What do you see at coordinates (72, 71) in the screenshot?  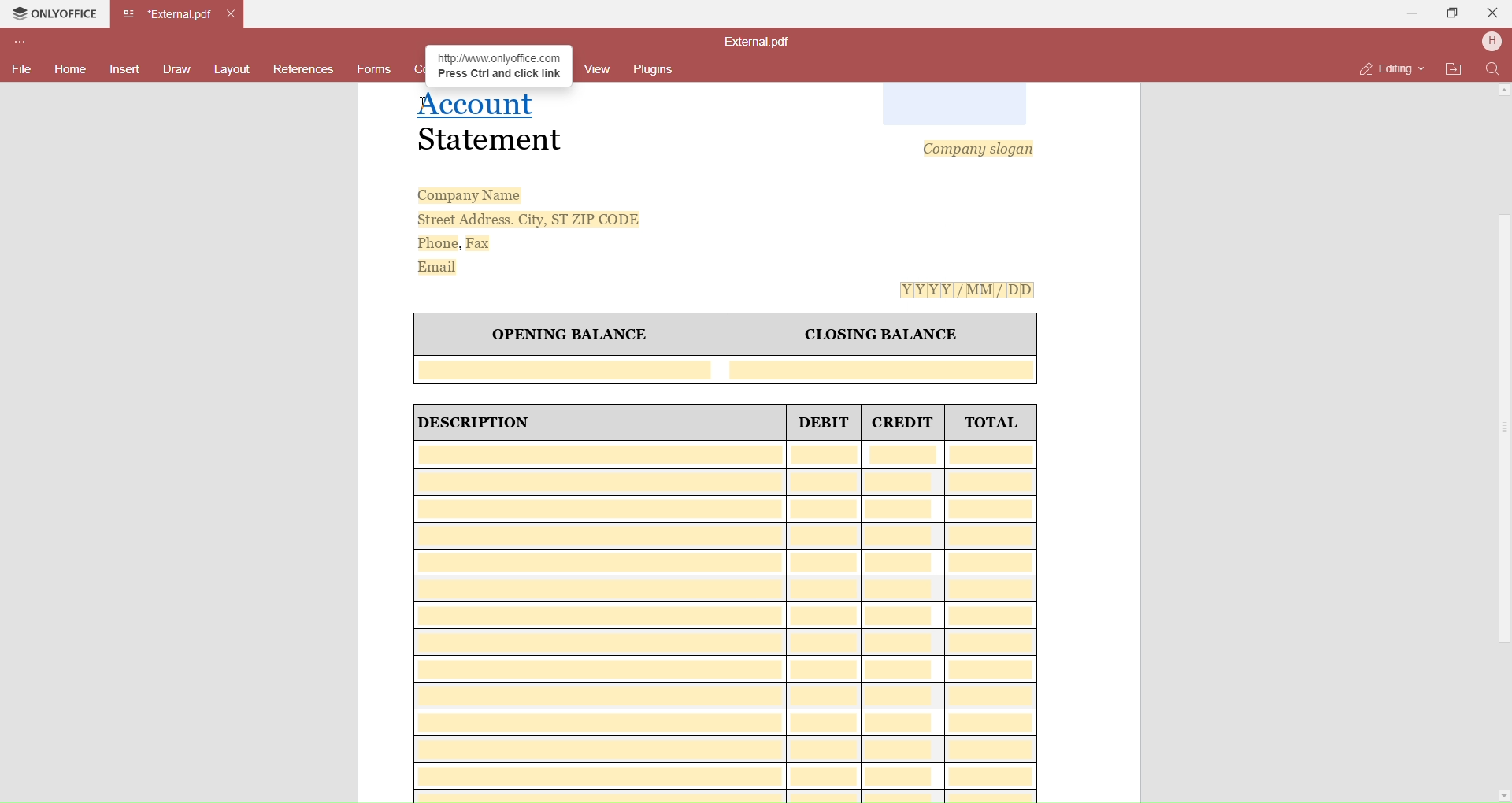 I see `Home` at bounding box center [72, 71].